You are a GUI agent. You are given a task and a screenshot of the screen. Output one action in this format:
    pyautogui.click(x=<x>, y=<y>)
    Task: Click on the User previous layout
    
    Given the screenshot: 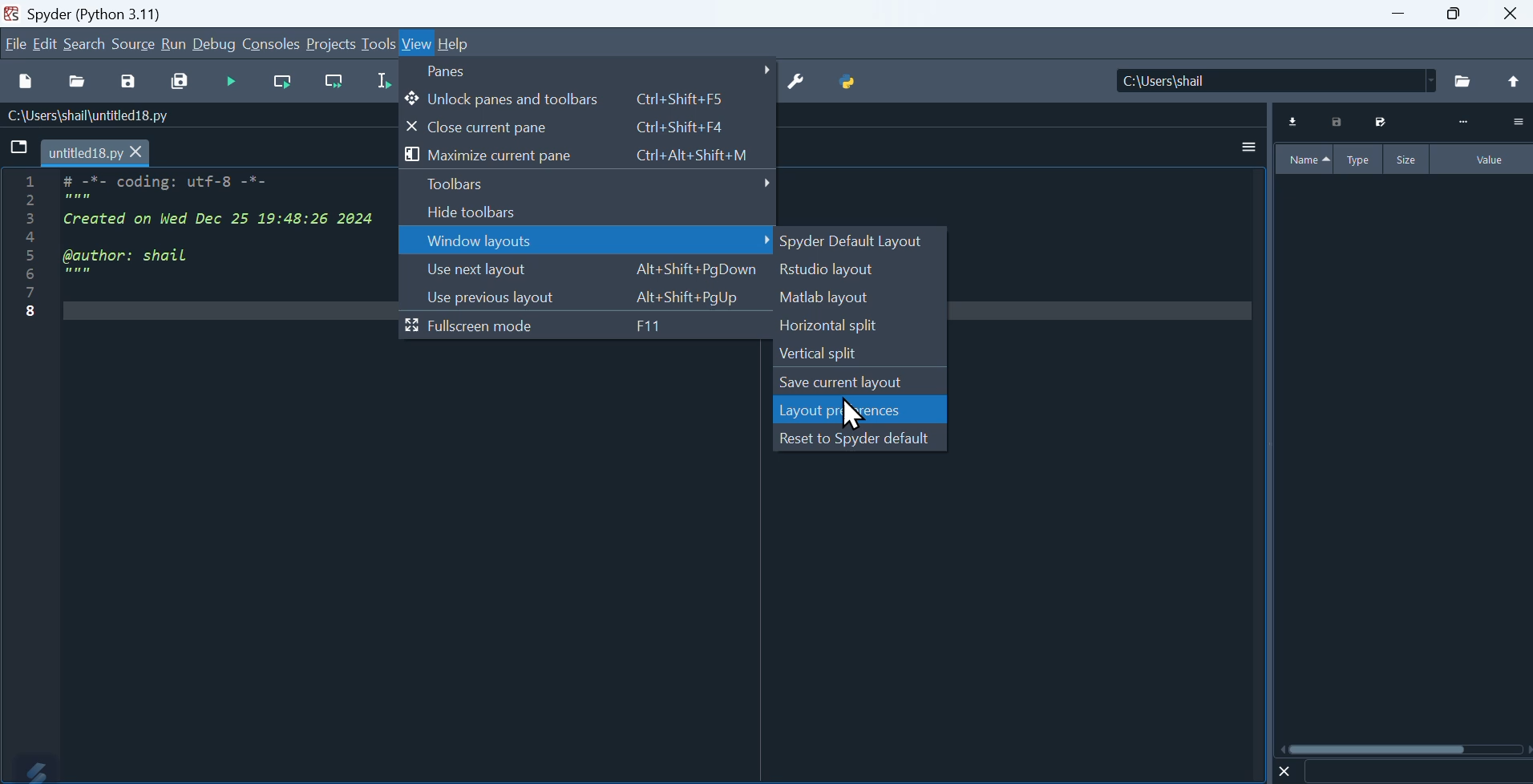 What is the action you would take?
    pyautogui.click(x=585, y=297)
    